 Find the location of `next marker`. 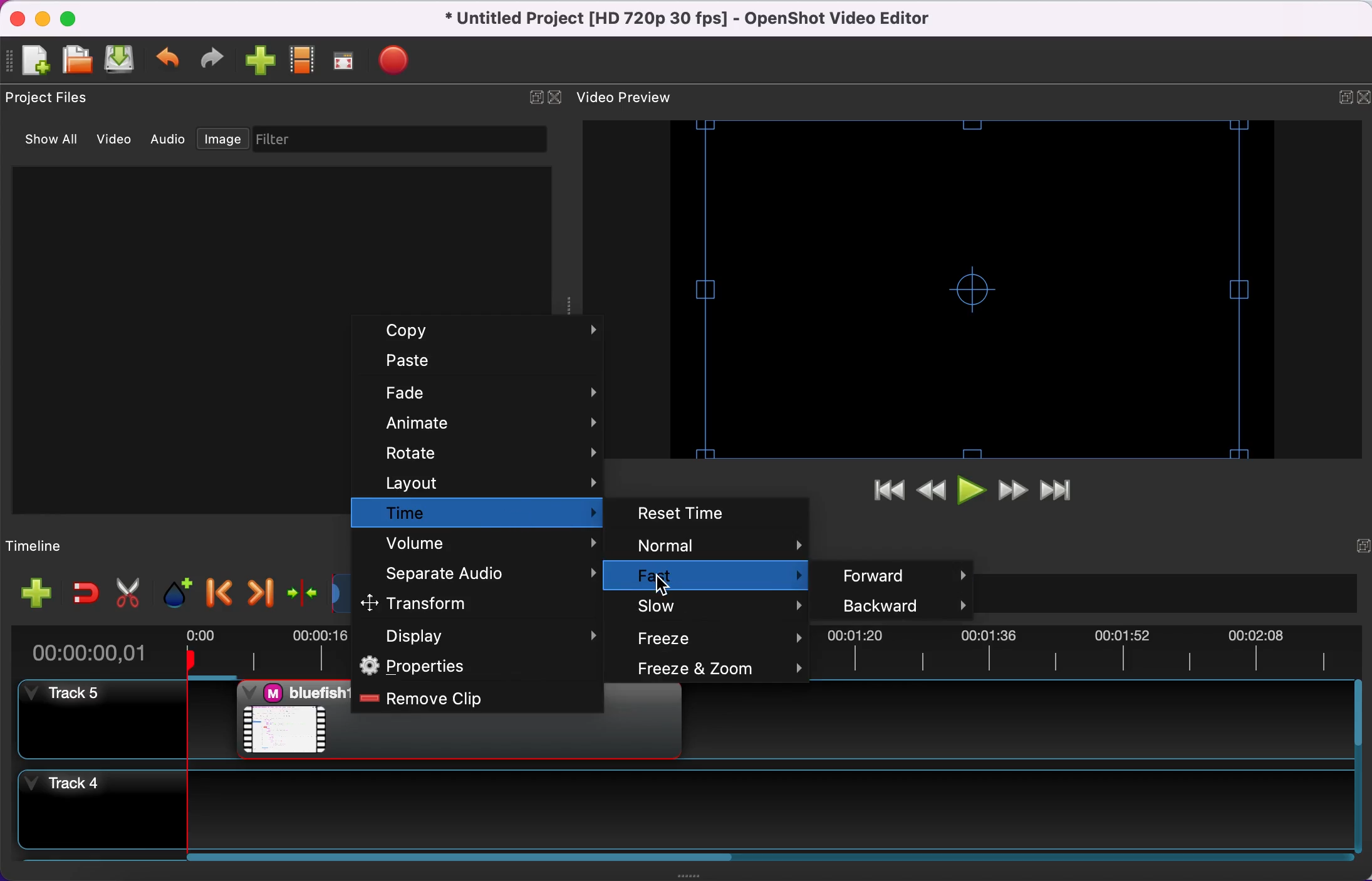

next marker is located at coordinates (261, 594).